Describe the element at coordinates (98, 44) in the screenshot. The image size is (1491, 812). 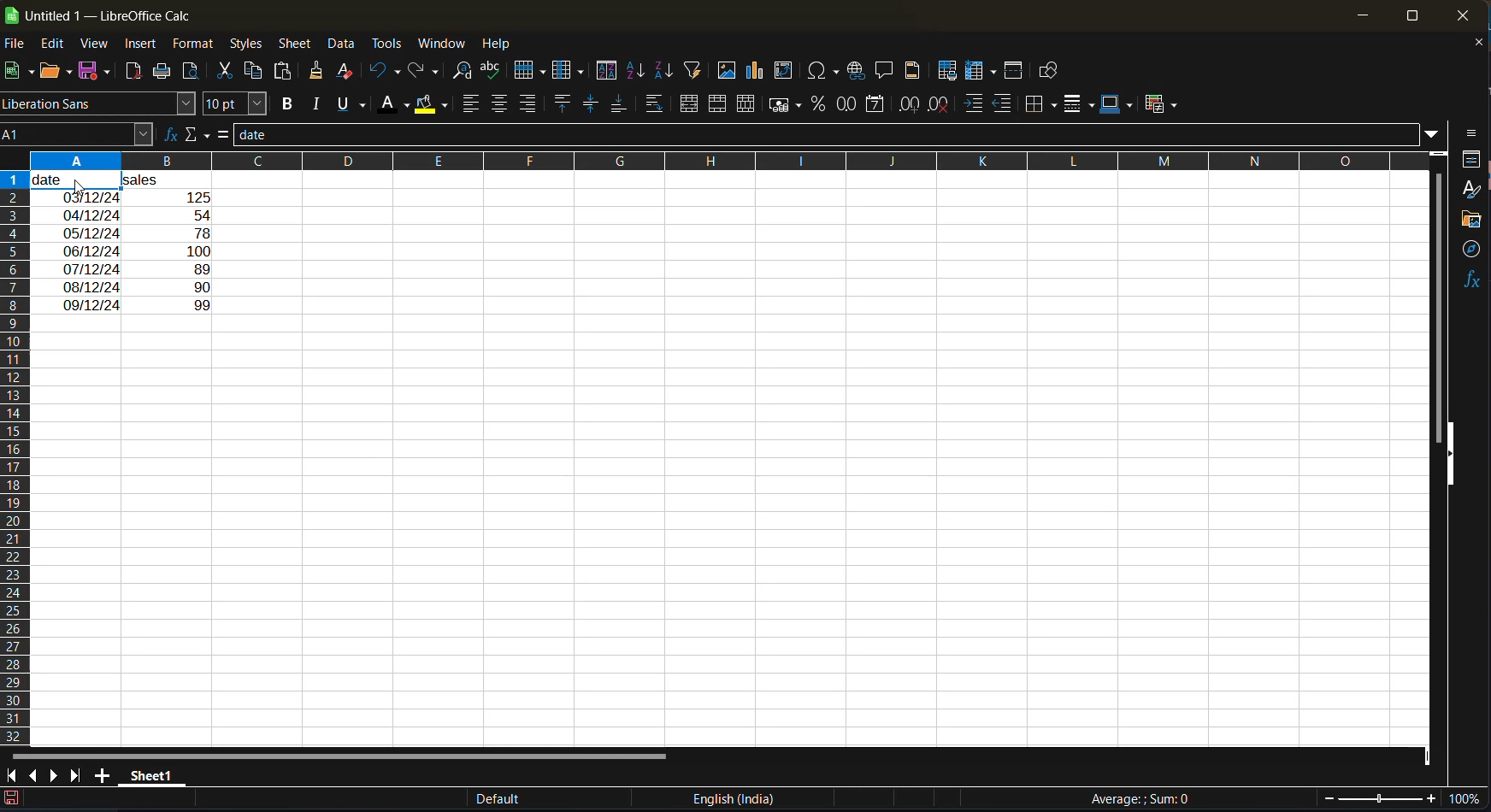
I see `view` at that location.